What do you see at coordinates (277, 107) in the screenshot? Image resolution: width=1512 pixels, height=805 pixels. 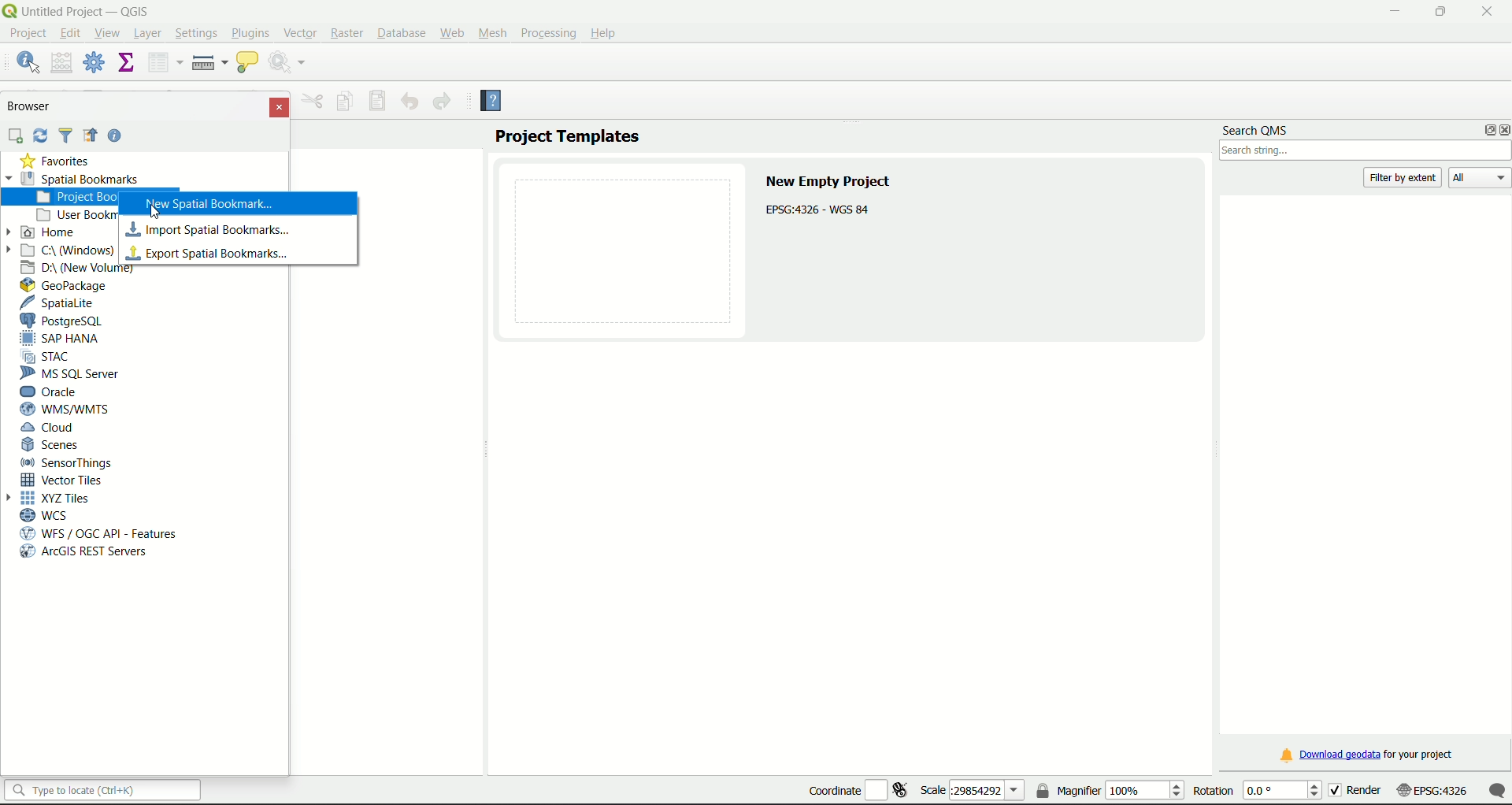 I see `Close` at bounding box center [277, 107].